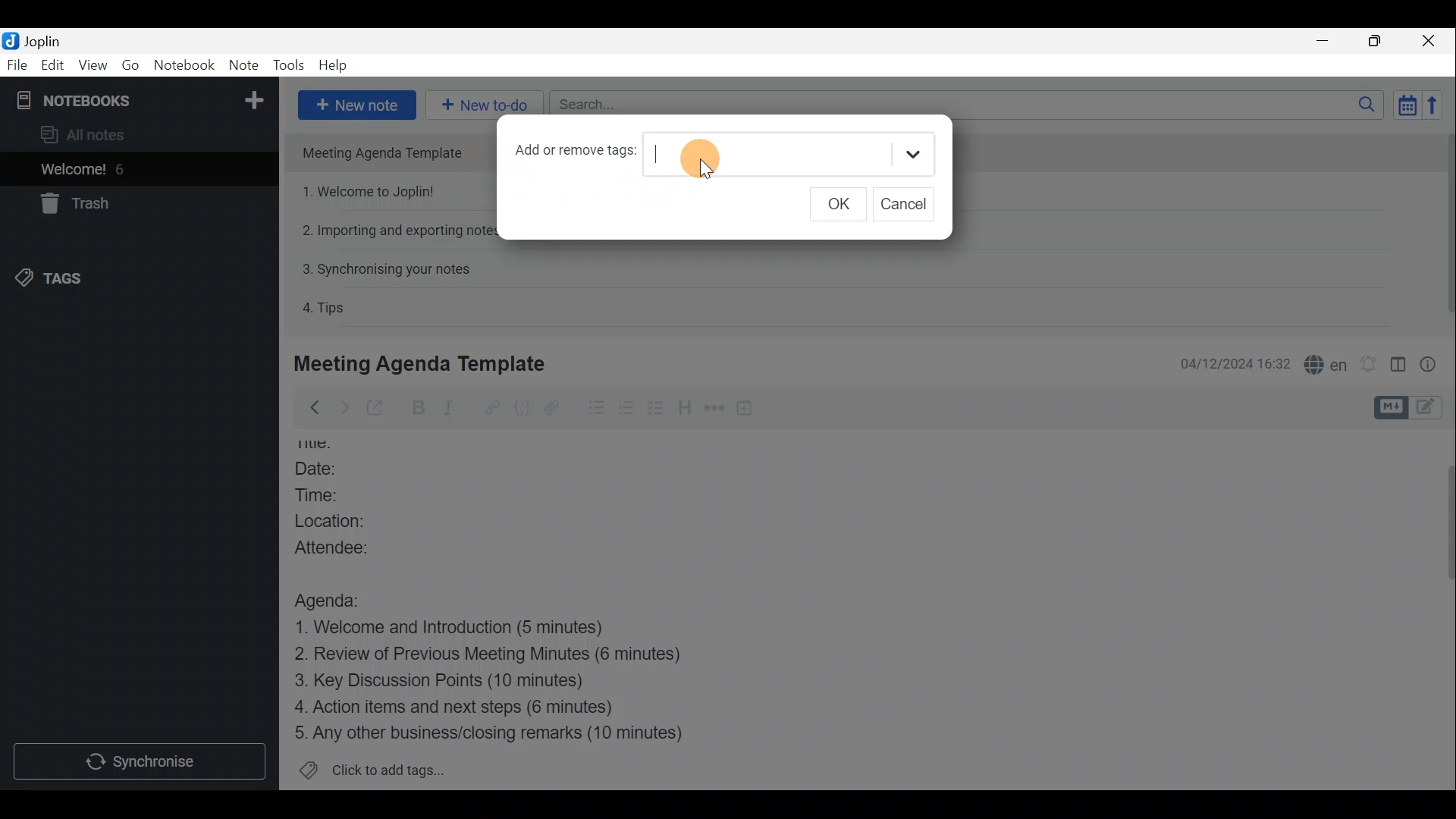 The width and height of the screenshot is (1456, 819). What do you see at coordinates (350, 546) in the screenshot?
I see `Attendee:` at bounding box center [350, 546].